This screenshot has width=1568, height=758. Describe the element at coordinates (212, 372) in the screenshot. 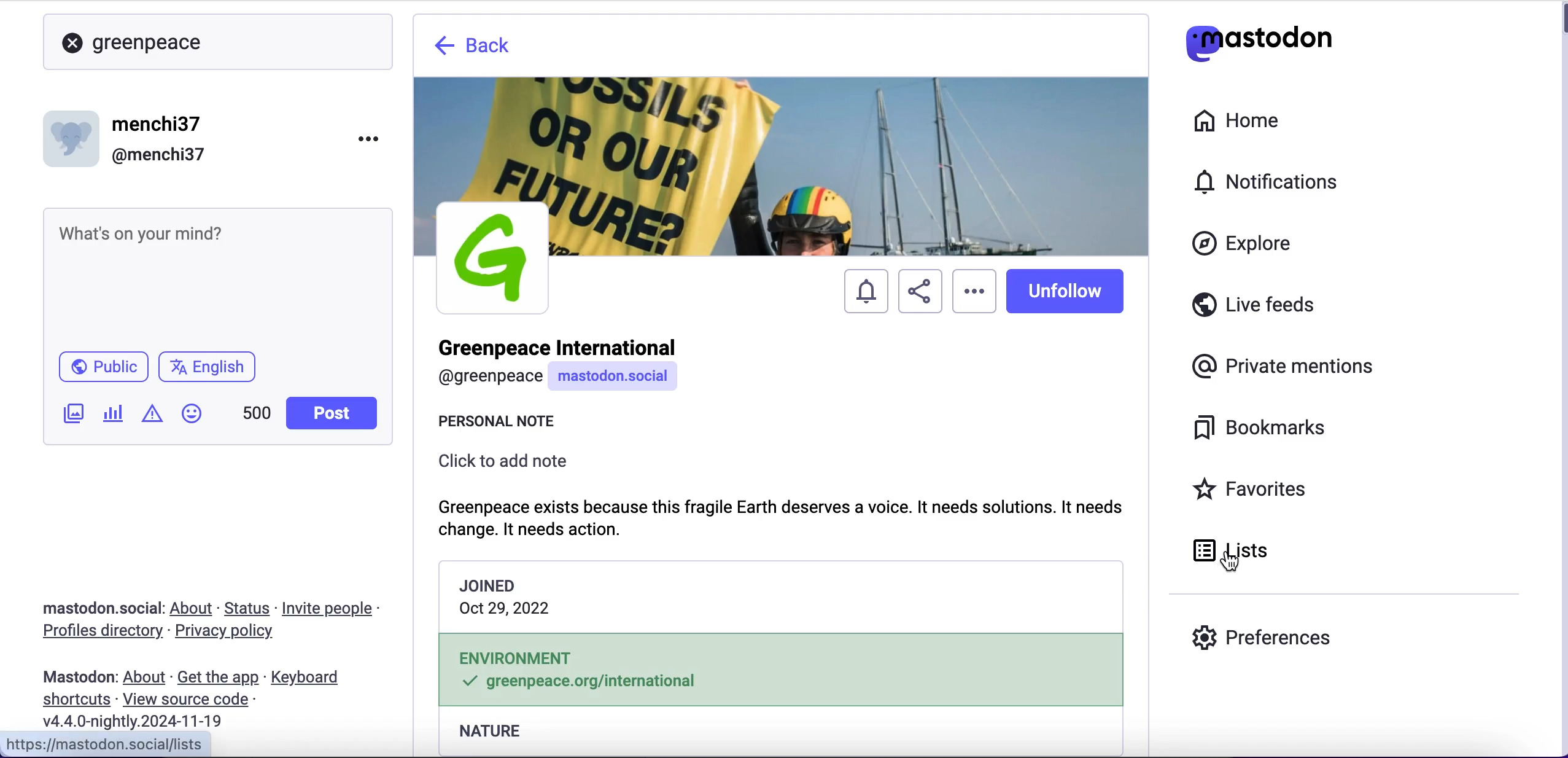

I see `language` at that location.